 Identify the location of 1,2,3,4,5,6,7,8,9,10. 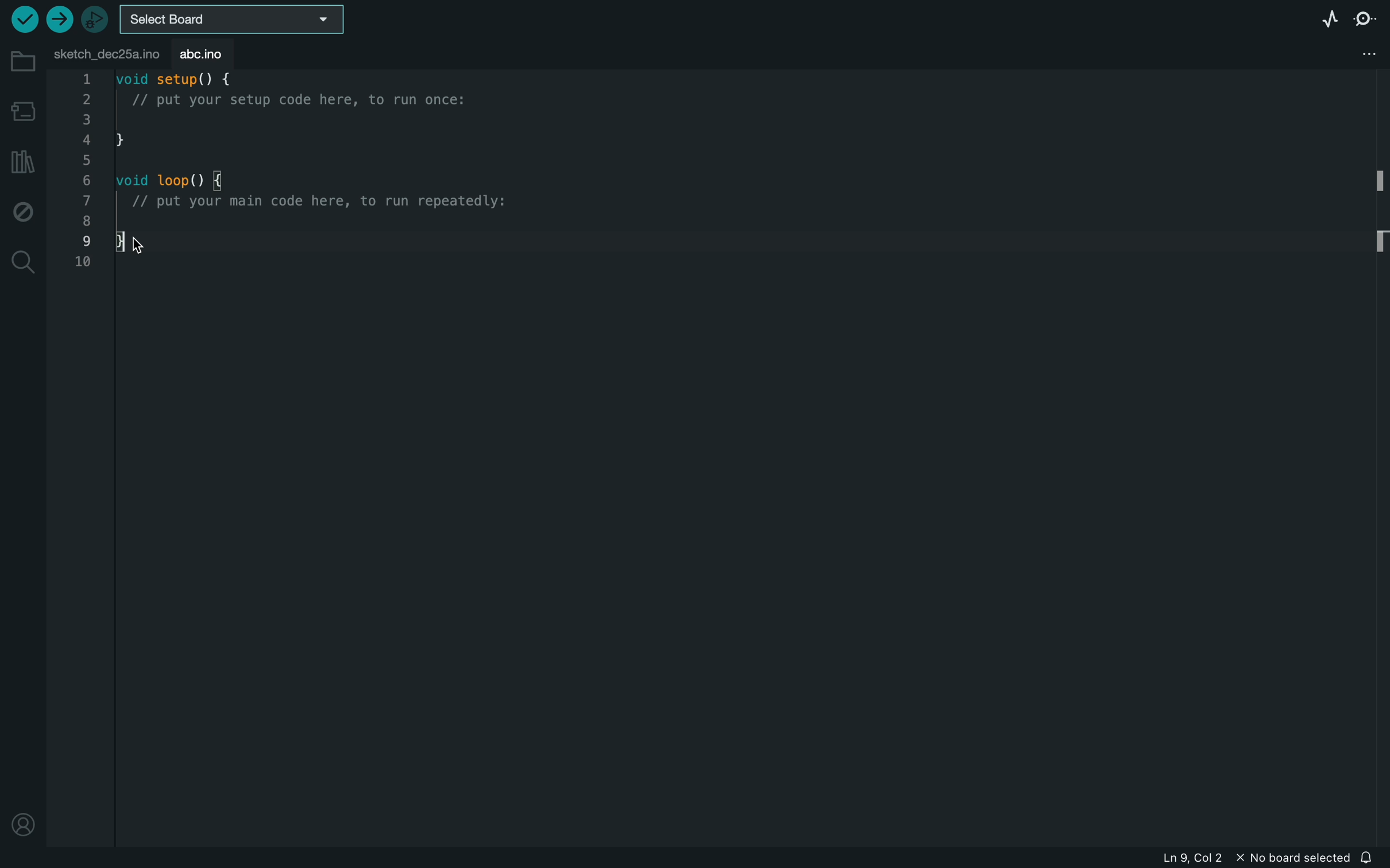
(83, 177).